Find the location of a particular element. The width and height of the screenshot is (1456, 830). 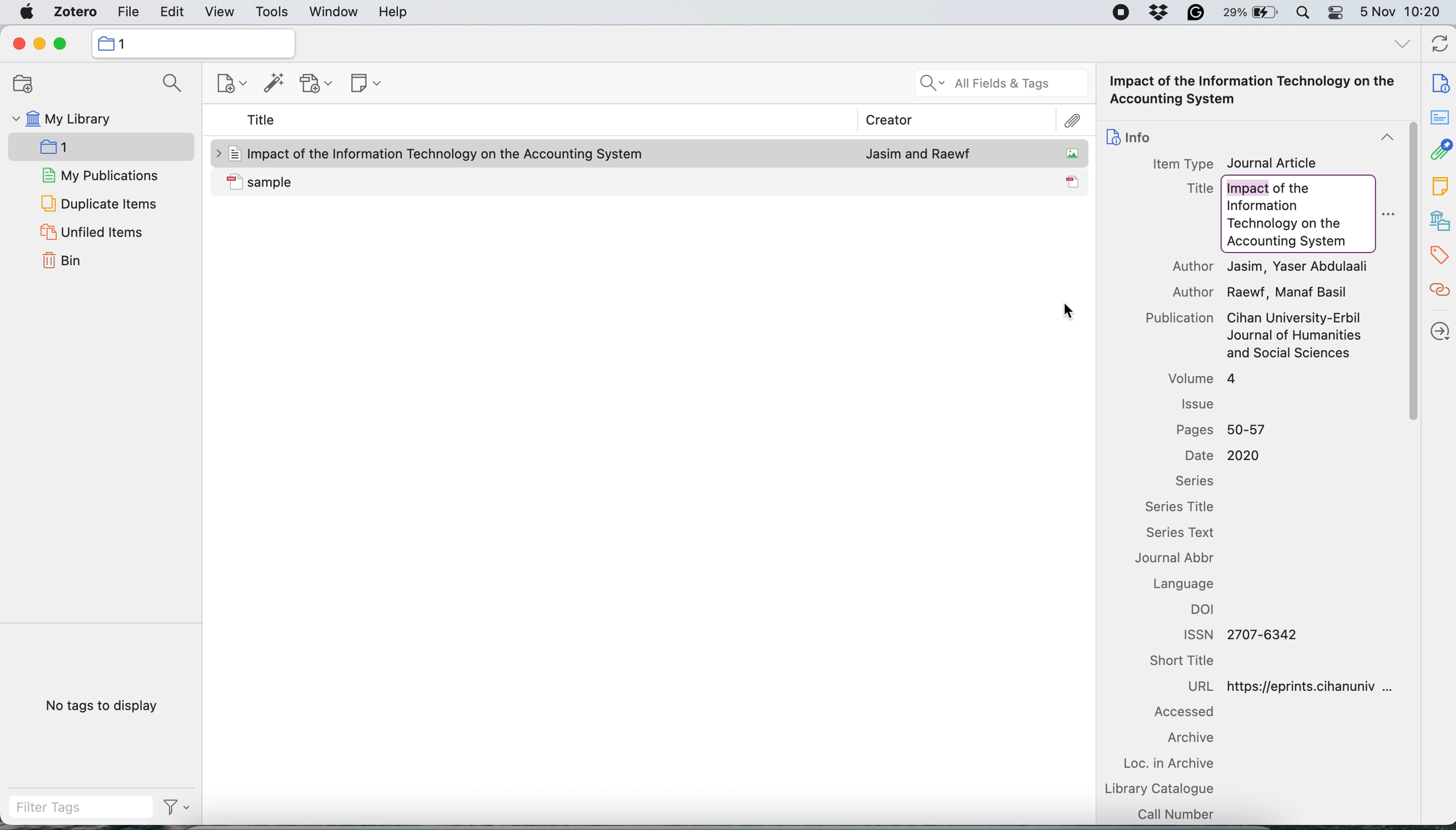

control center is located at coordinates (1338, 14).